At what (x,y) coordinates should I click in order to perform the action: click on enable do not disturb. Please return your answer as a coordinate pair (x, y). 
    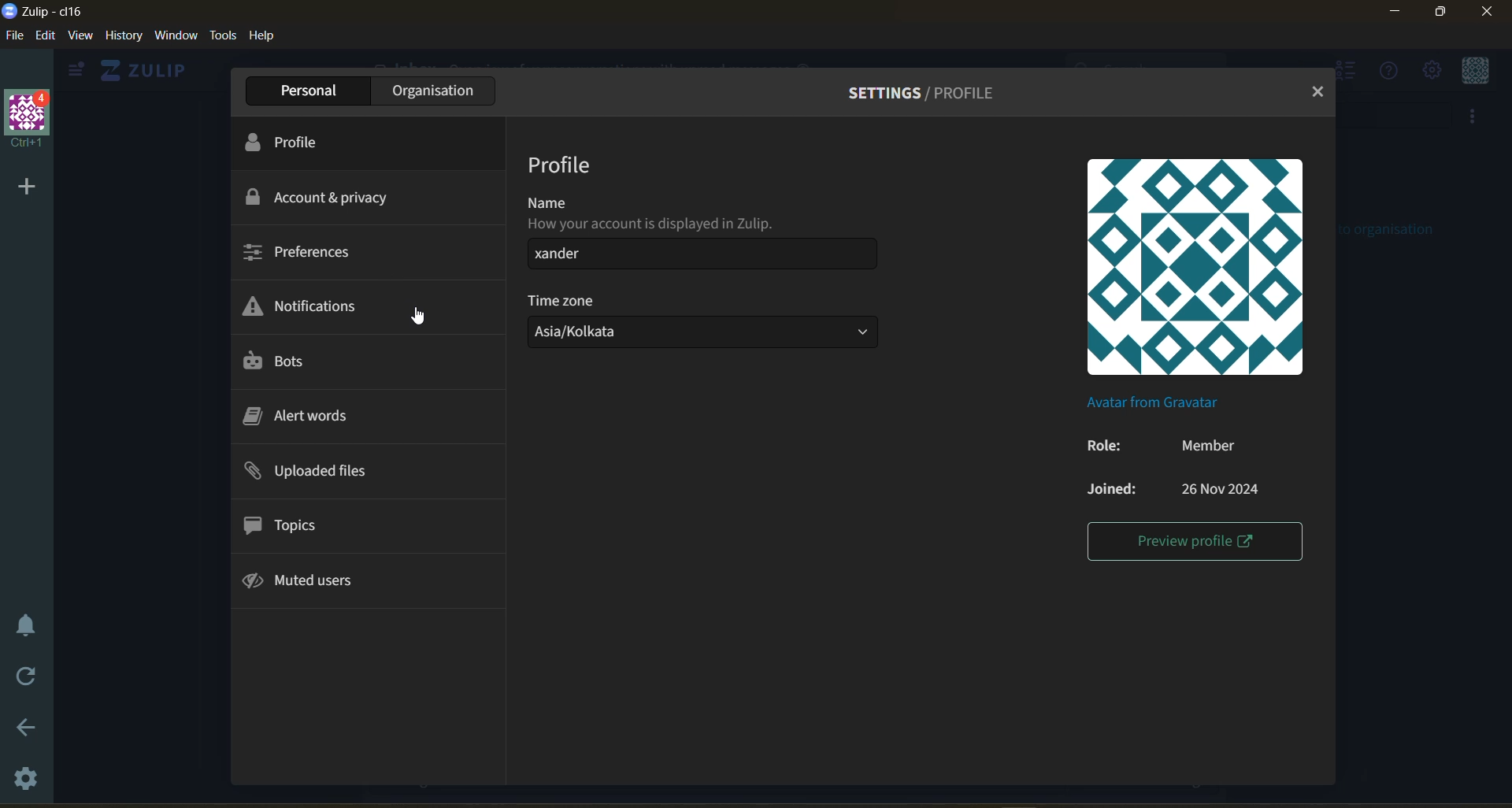
    Looking at the image, I should click on (28, 625).